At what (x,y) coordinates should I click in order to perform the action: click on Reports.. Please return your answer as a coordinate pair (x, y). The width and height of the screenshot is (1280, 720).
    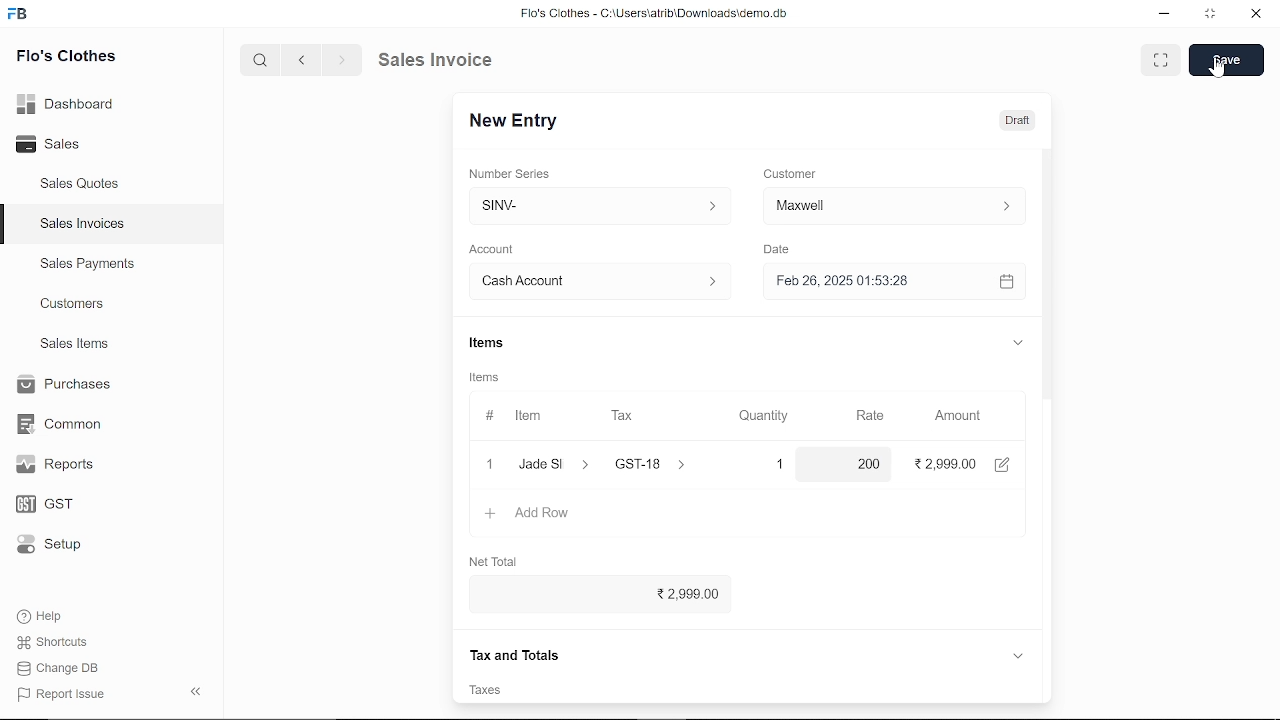
    Looking at the image, I should click on (63, 464).